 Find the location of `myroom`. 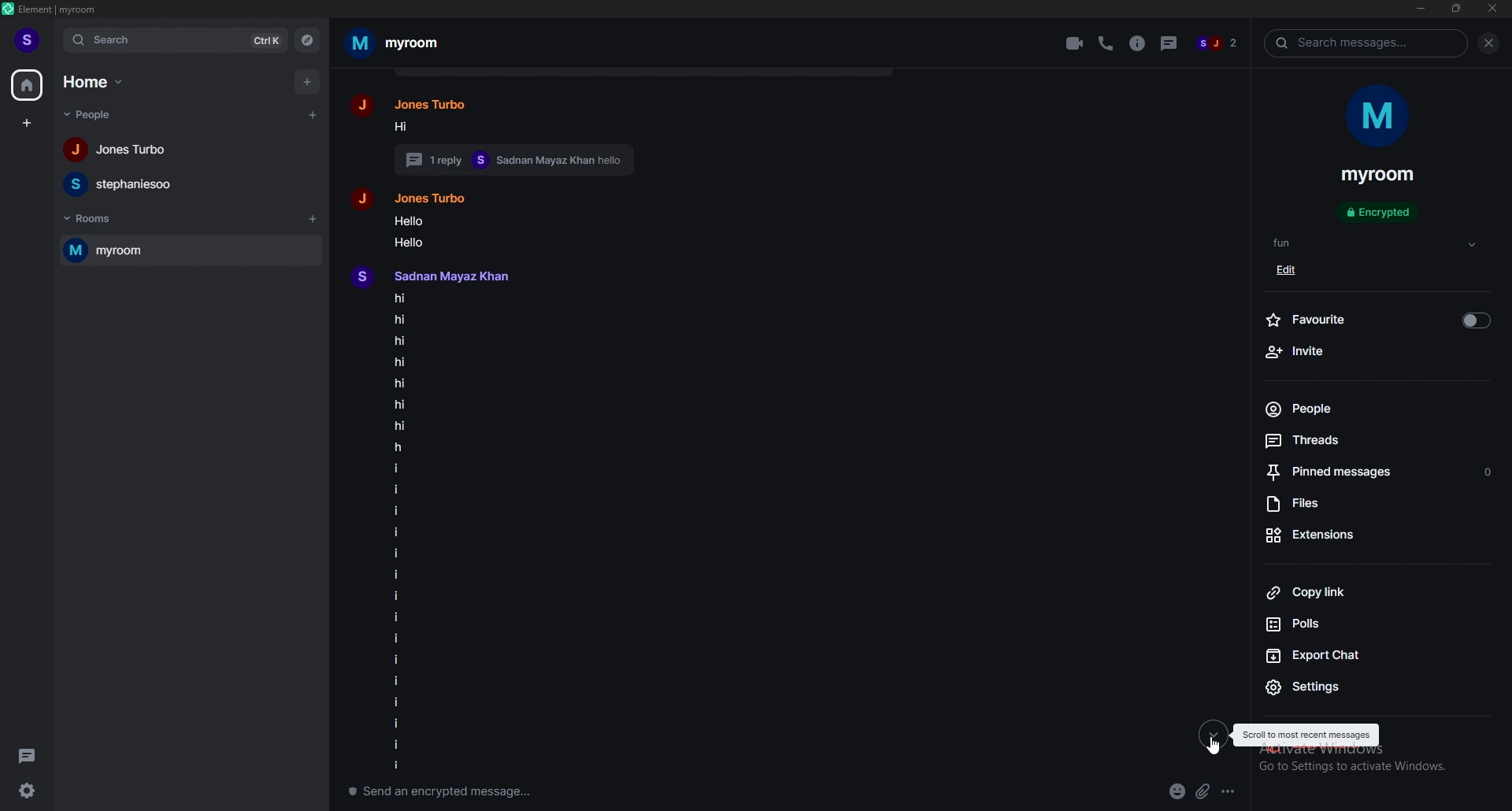

myroom is located at coordinates (1375, 177).